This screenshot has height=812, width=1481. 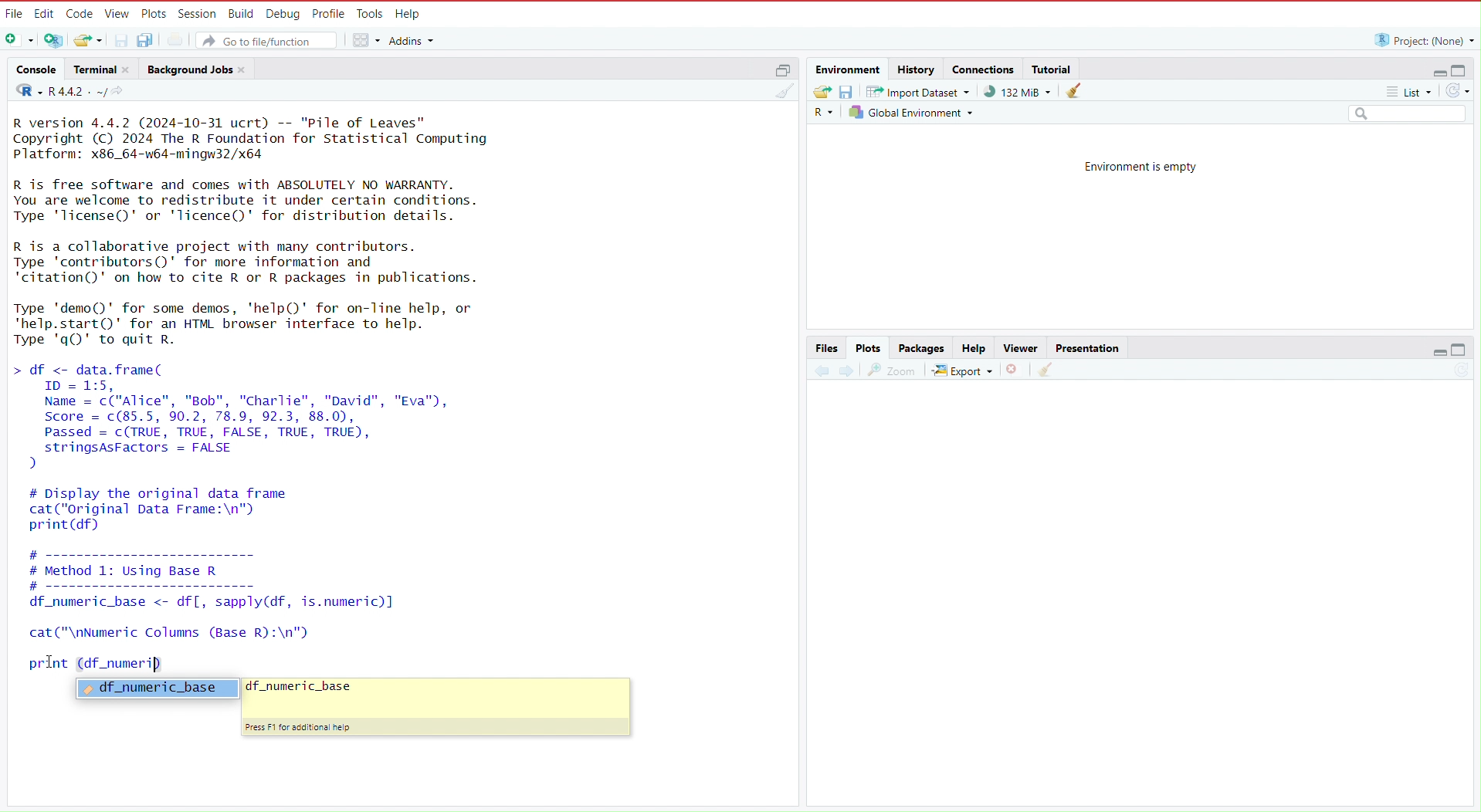 What do you see at coordinates (1054, 69) in the screenshot?
I see `Tutorial` at bounding box center [1054, 69].